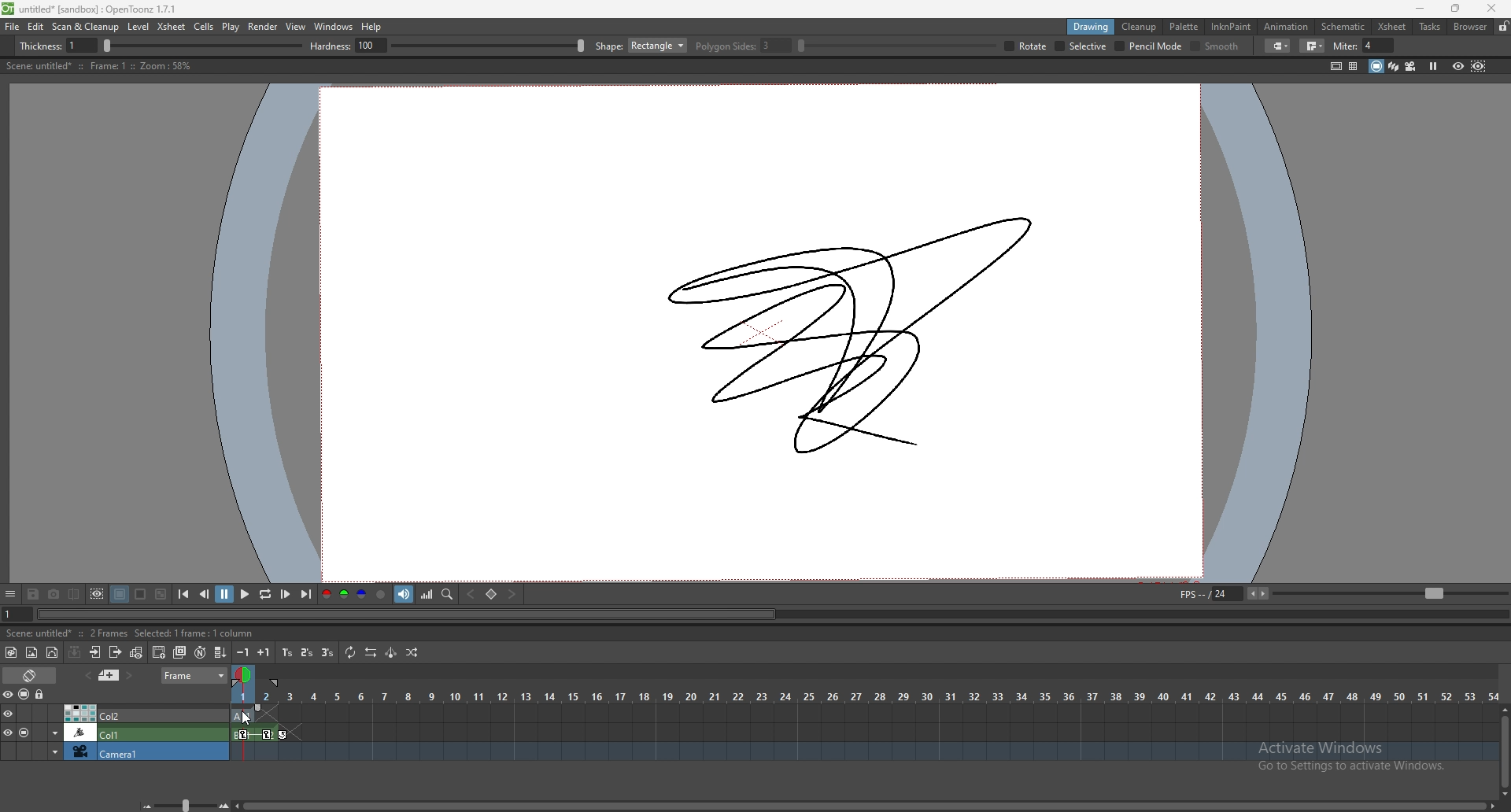  What do you see at coordinates (362, 595) in the screenshot?
I see `blue channel` at bounding box center [362, 595].